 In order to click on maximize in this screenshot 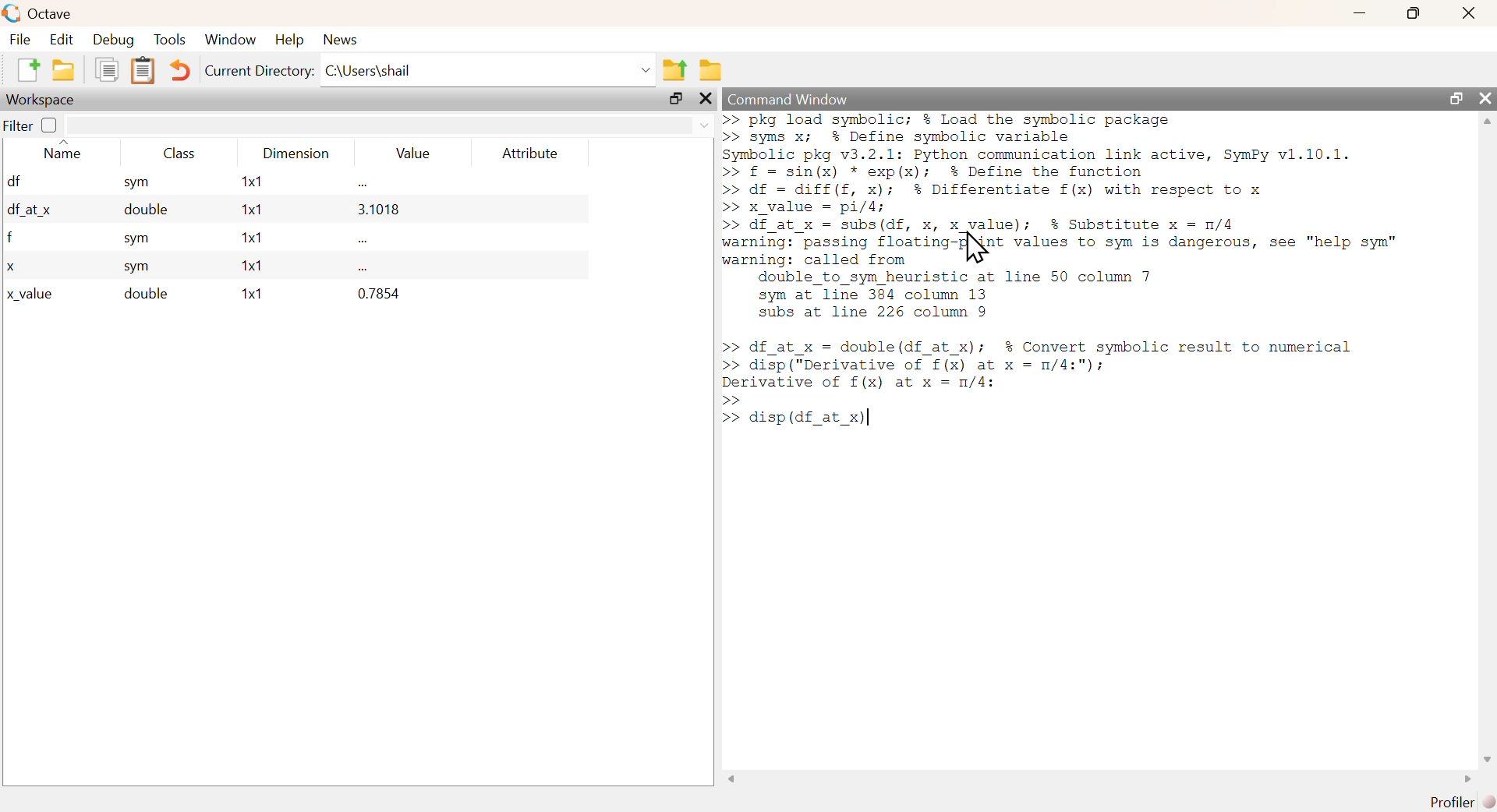, I will do `click(1413, 14)`.